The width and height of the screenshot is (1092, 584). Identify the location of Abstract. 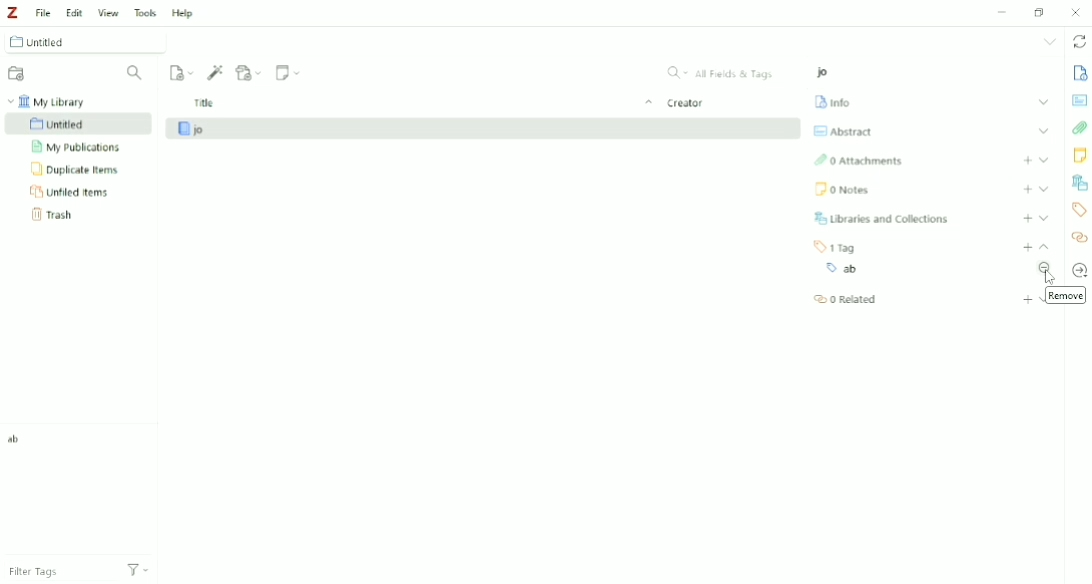
(1079, 101).